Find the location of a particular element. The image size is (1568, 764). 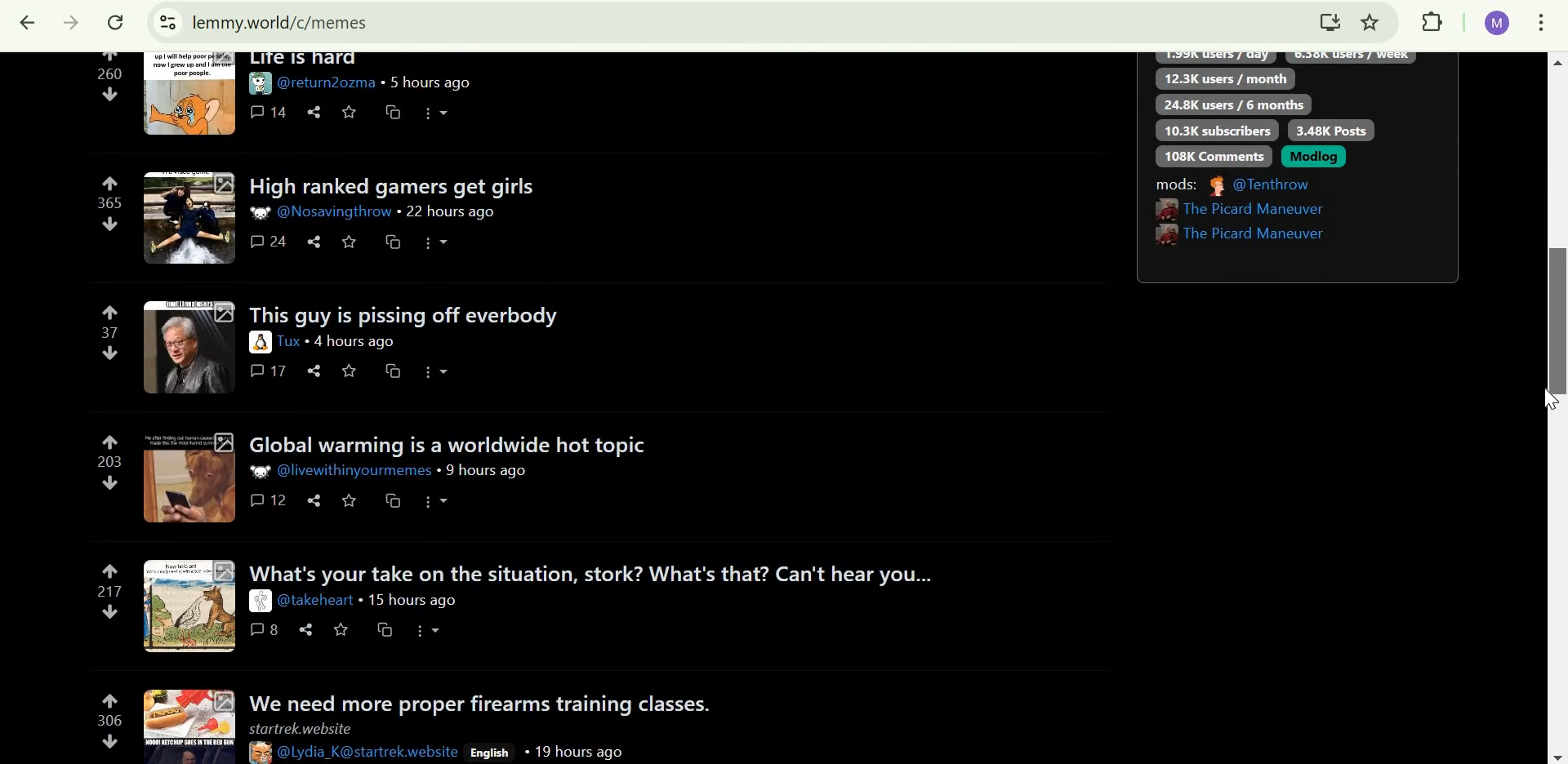

Mods: is located at coordinates (1178, 184).